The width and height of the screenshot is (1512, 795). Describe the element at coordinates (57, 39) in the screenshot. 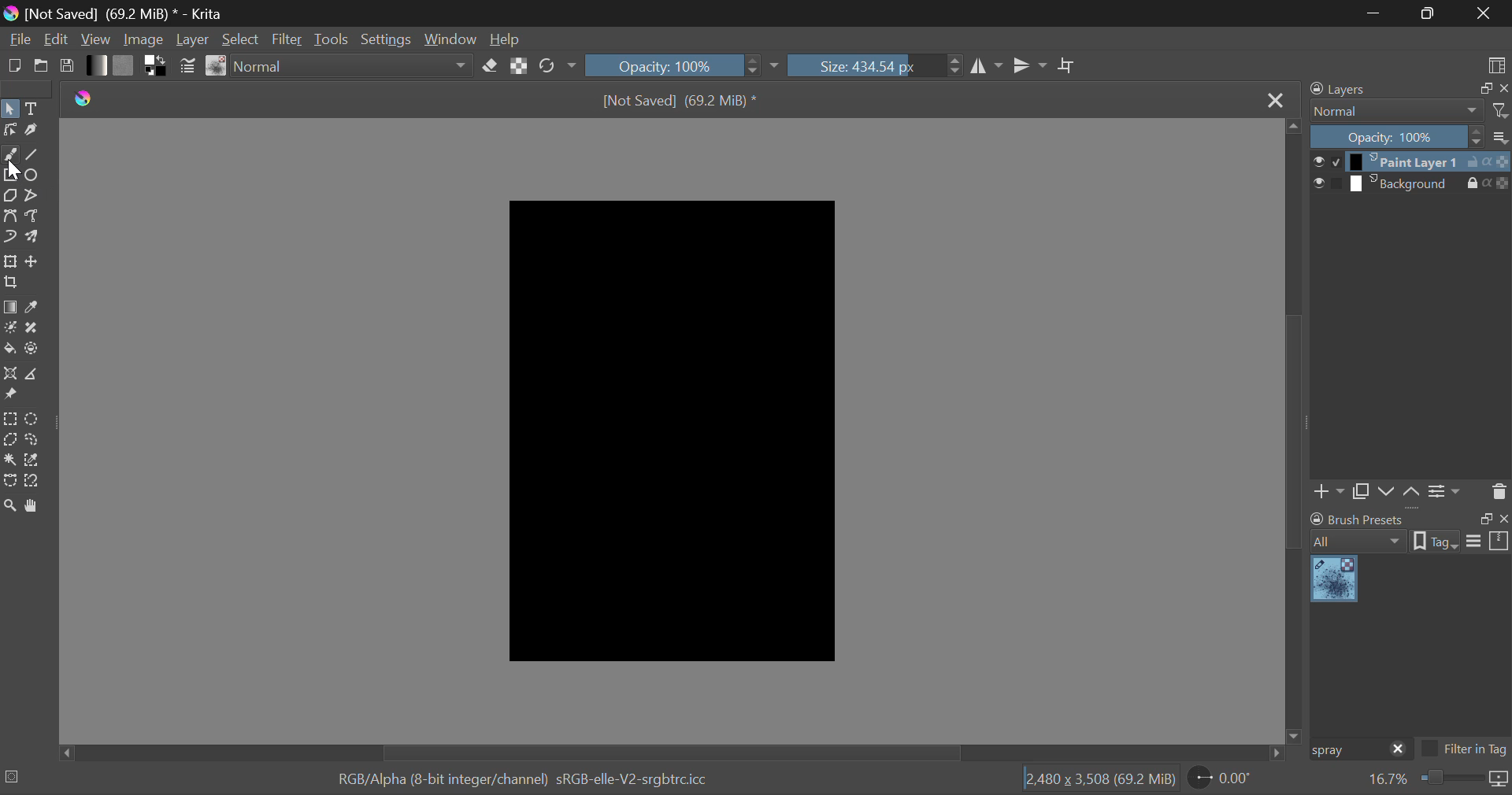

I see `Edit` at that location.